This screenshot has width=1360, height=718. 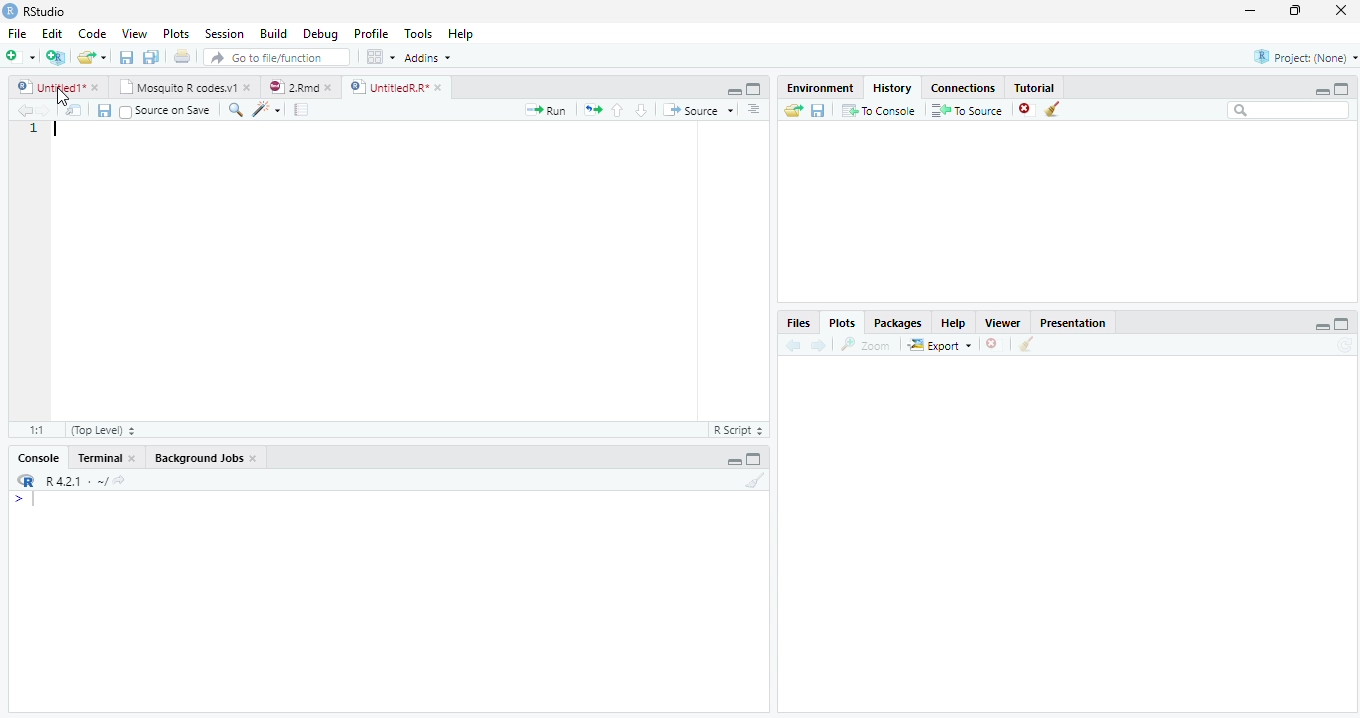 I want to click on History, so click(x=896, y=88).